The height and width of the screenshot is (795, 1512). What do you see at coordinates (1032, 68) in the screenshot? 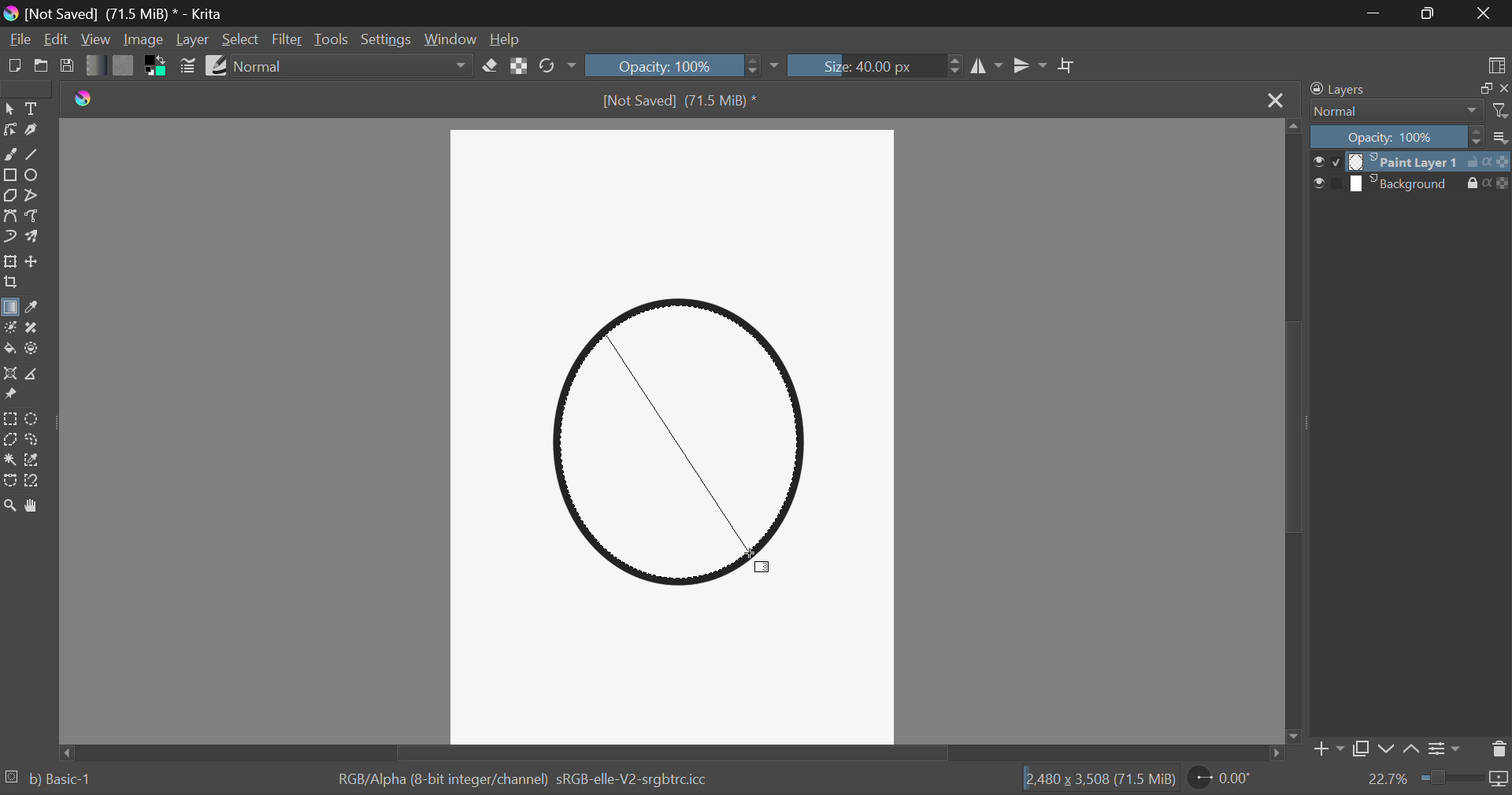
I see `Horizontal Mirror Flip` at bounding box center [1032, 68].